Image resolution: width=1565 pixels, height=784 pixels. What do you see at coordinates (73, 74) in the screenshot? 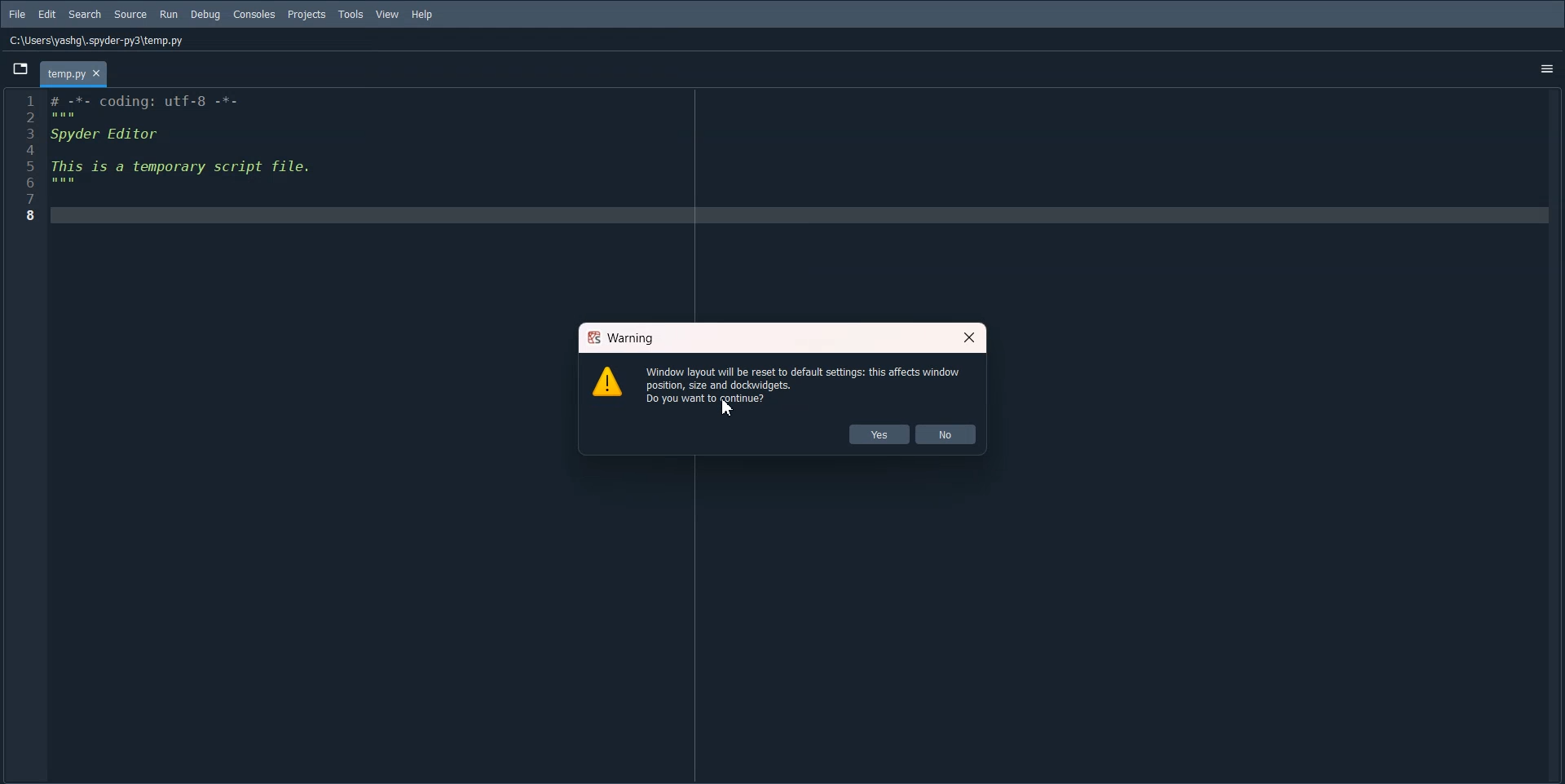
I see `tab - temp.py` at bounding box center [73, 74].